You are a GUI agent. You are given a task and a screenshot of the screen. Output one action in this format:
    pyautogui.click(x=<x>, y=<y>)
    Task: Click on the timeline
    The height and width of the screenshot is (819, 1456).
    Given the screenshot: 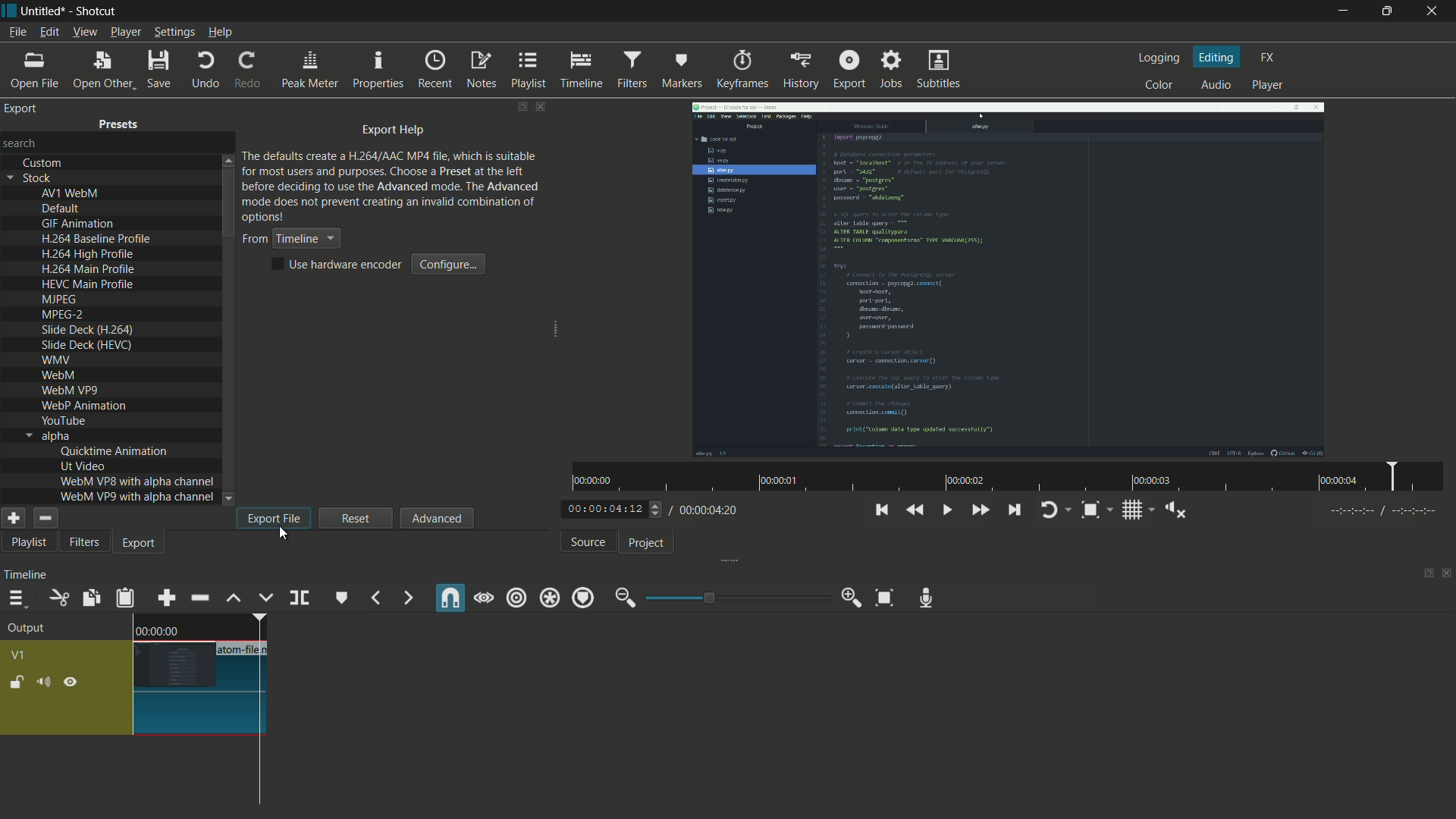 What is the action you would take?
    pyautogui.click(x=583, y=71)
    